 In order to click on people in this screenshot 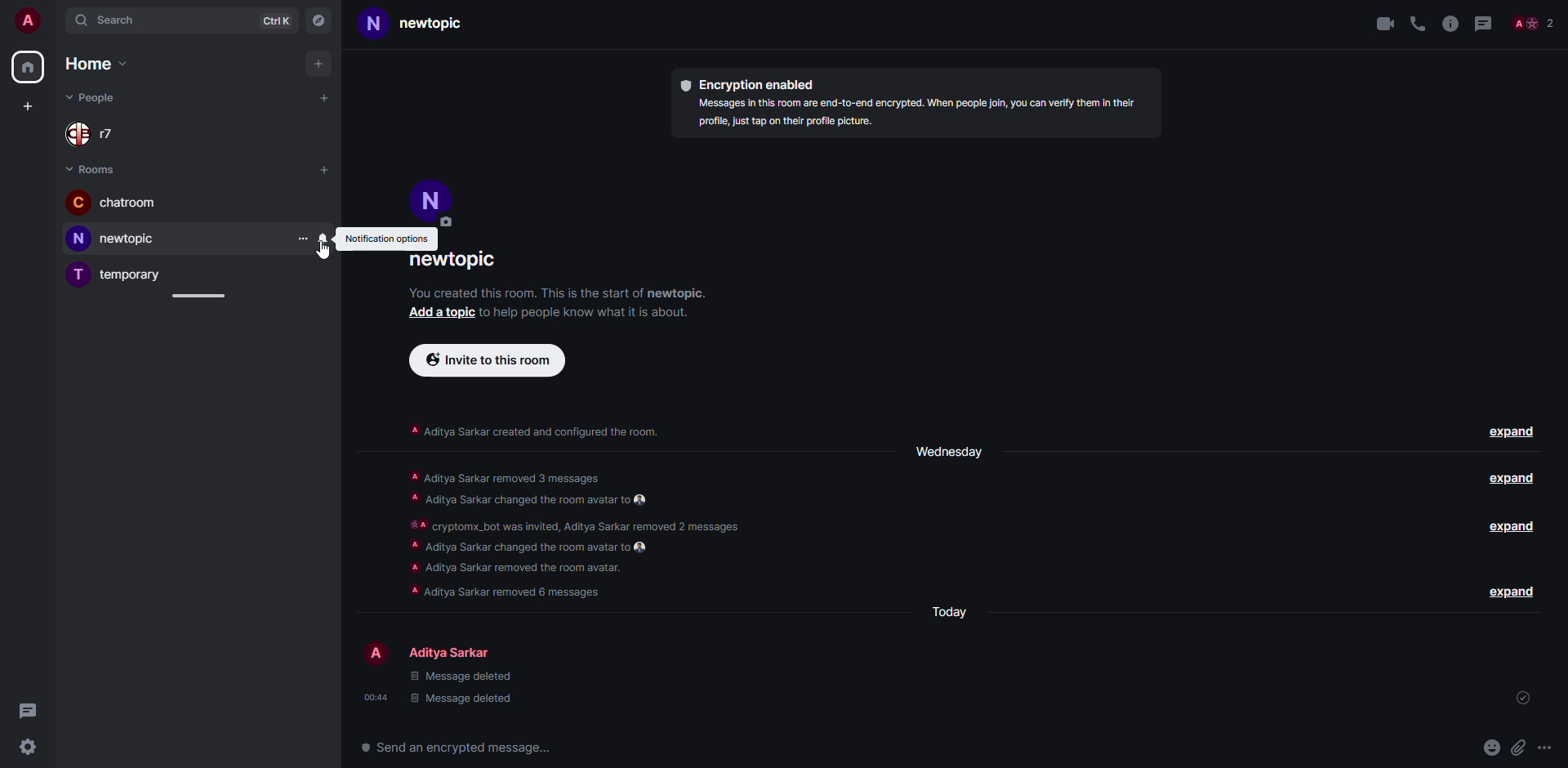, I will do `click(96, 135)`.